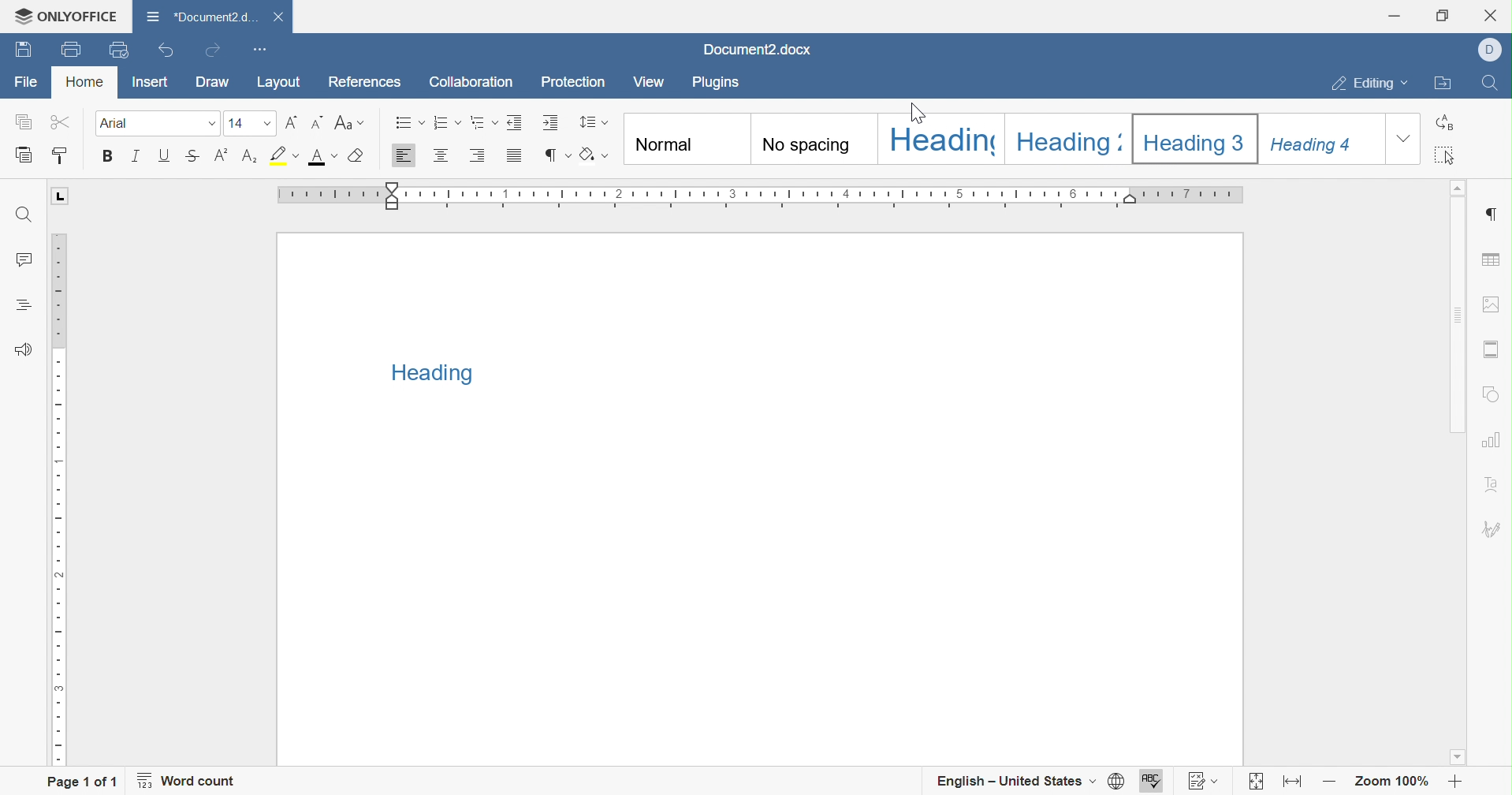 The width and height of the screenshot is (1512, 795). Describe the element at coordinates (1495, 478) in the screenshot. I see `Text Art settings` at that location.